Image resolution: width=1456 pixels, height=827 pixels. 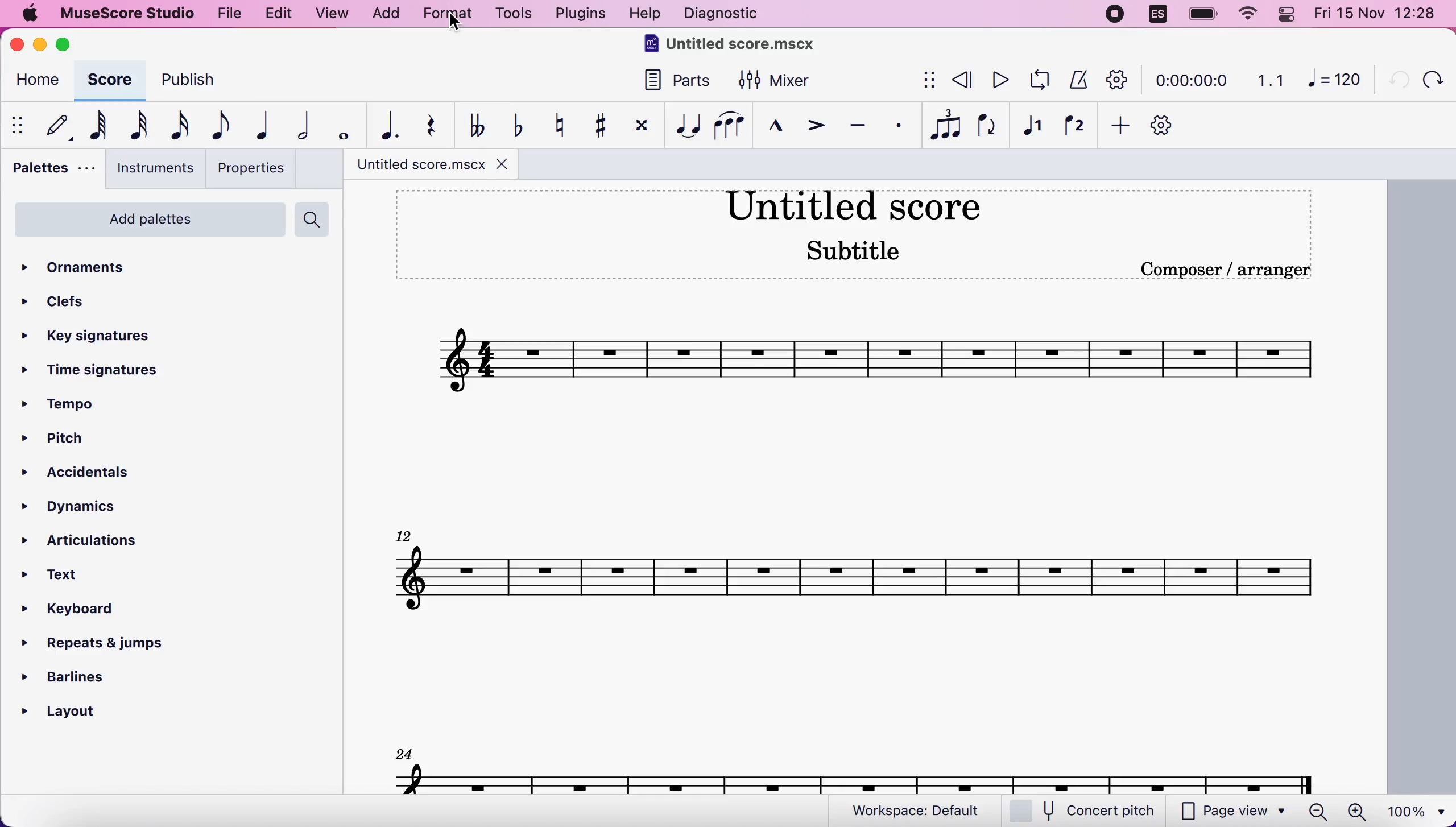 What do you see at coordinates (1118, 79) in the screenshot?
I see `playback settings` at bounding box center [1118, 79].